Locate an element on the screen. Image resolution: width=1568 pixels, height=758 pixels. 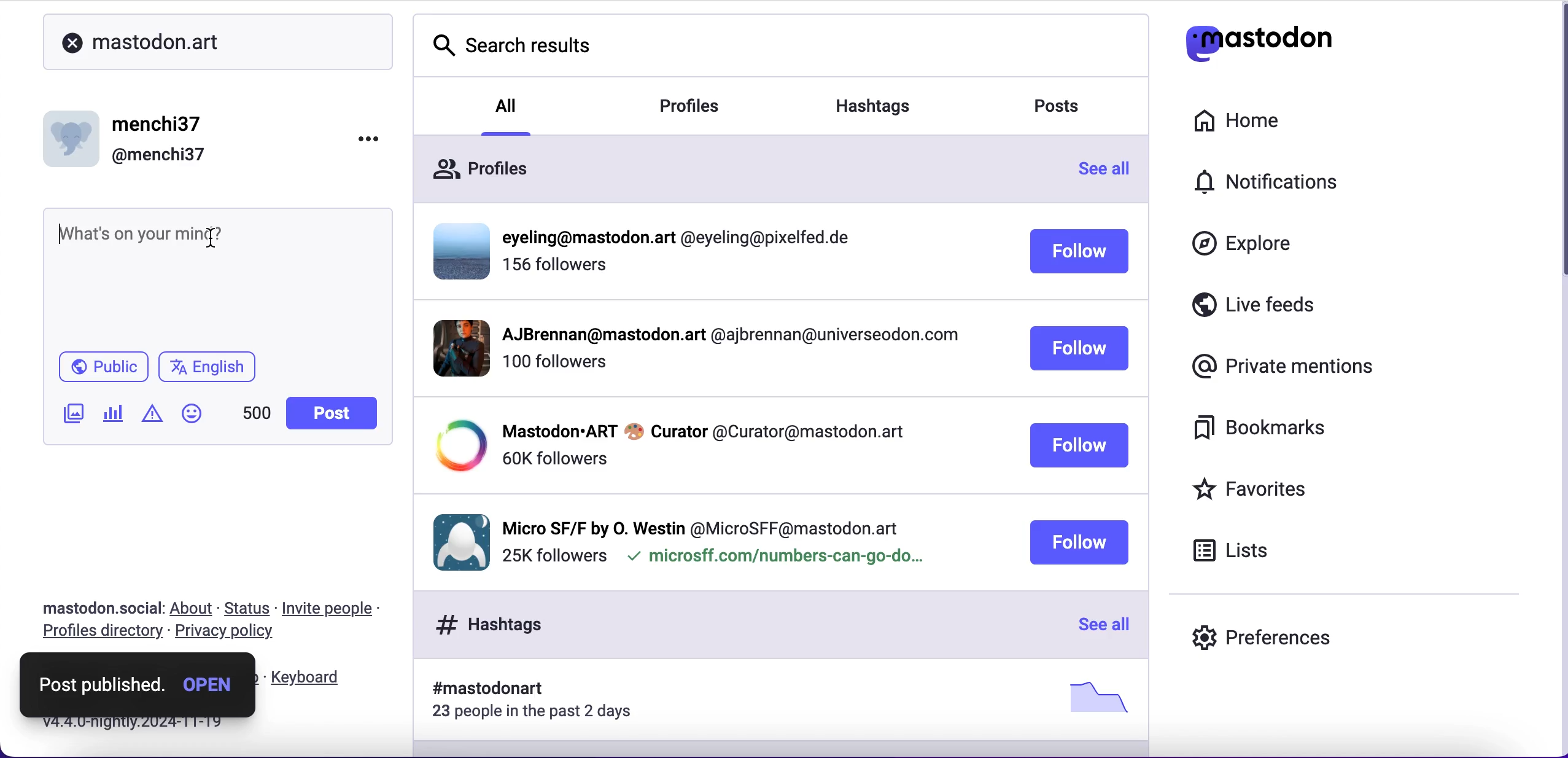
see all is located at coordinates (1111, 173).